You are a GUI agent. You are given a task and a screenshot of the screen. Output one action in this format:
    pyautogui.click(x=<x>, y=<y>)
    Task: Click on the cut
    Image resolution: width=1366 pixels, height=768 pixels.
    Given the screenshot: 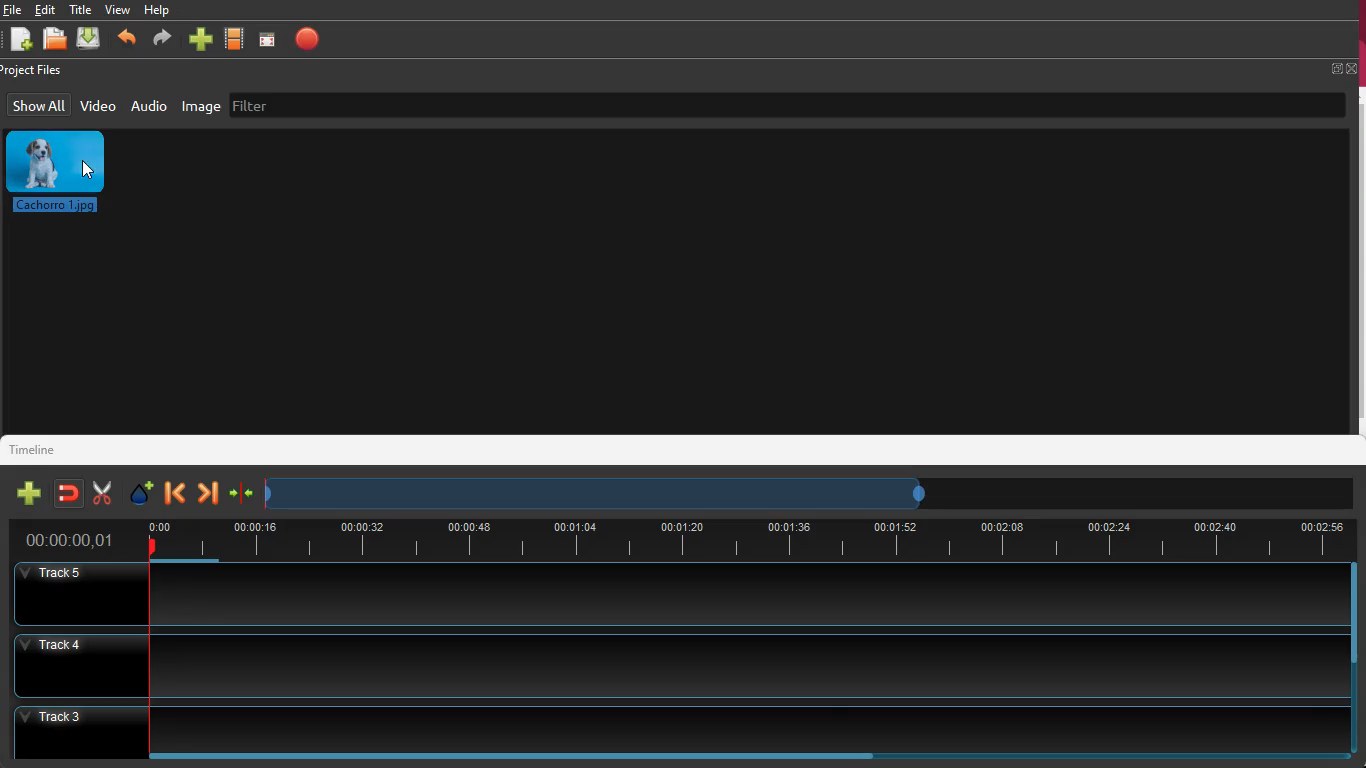 What is the action you would take?
    pyautogui.click(x=102, y=493)
    